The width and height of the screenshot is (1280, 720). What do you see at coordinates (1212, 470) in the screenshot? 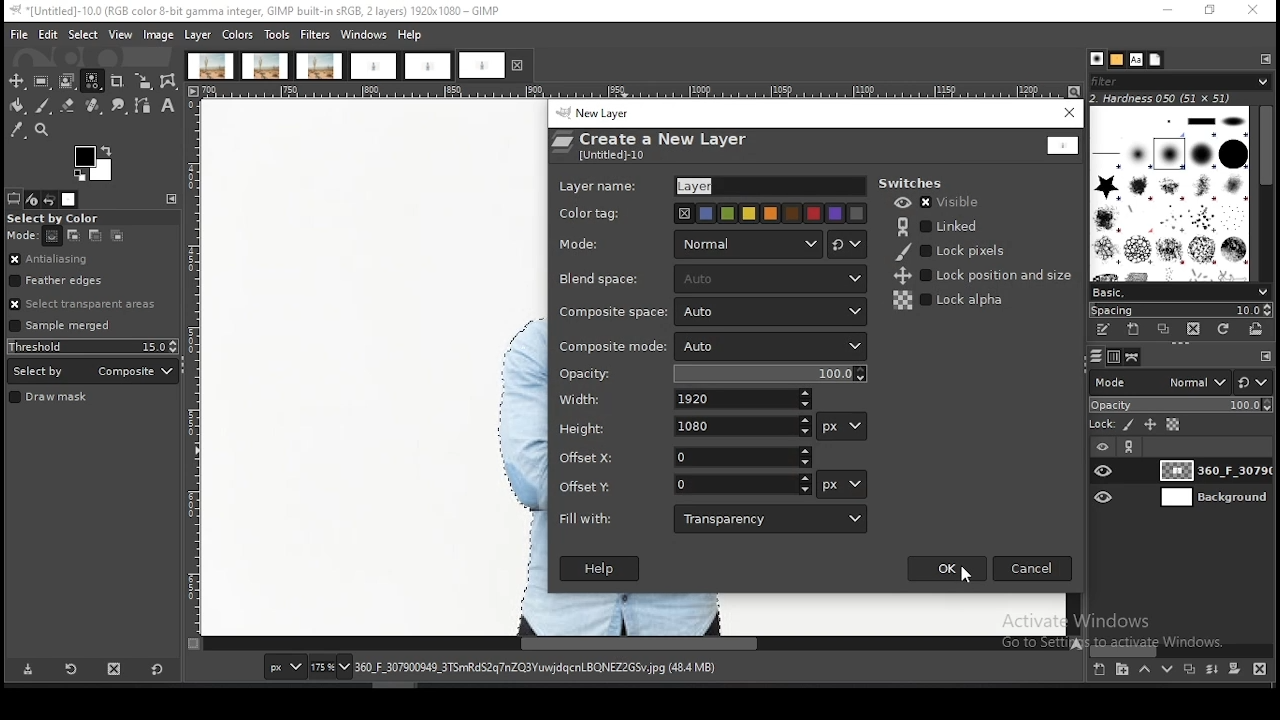
I see `layer` at bounding box center [1212, 470].